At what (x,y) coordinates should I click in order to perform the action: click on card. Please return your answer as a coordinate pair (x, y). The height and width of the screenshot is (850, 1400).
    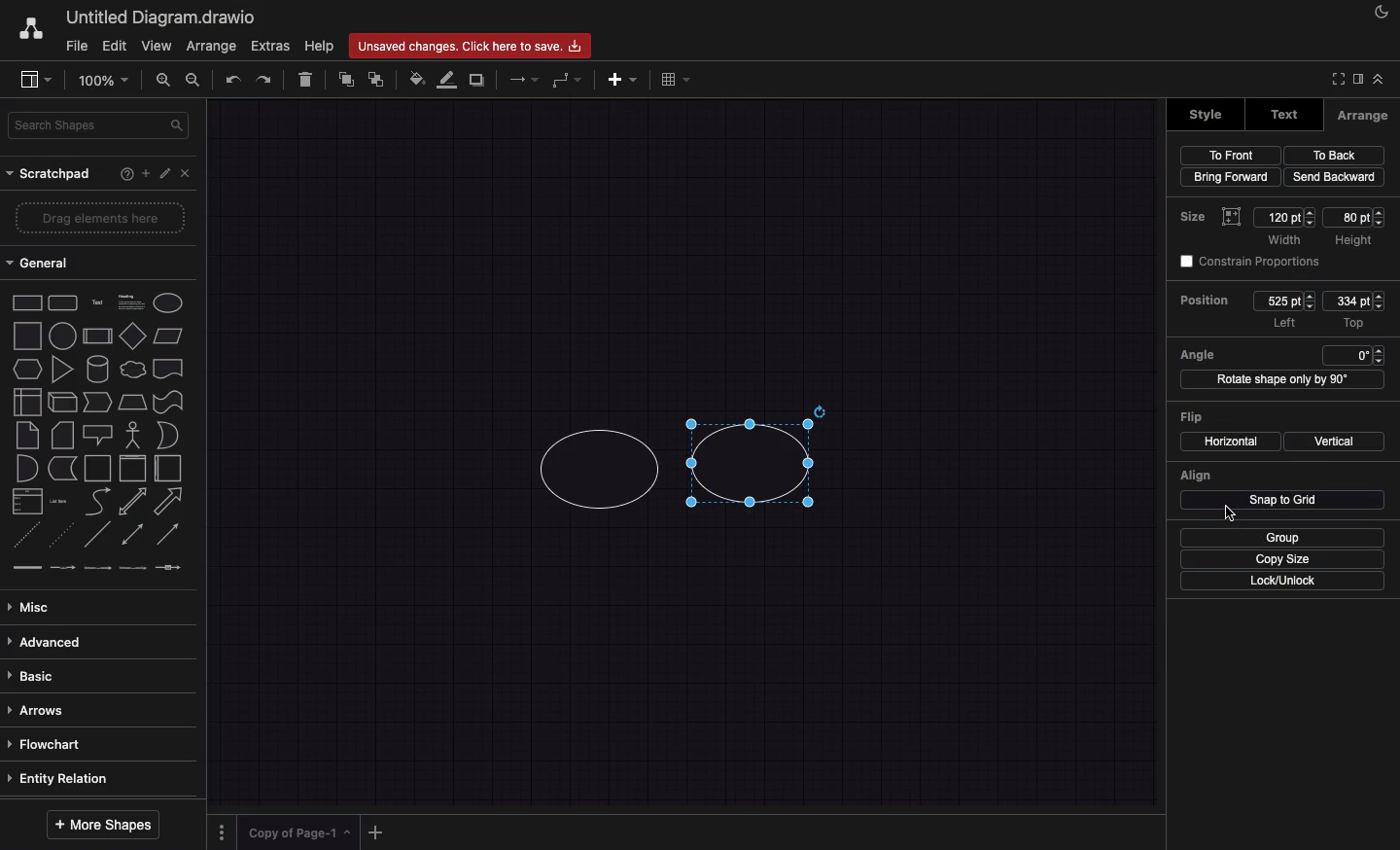
    Looking at the image, I should click on (62, 436).